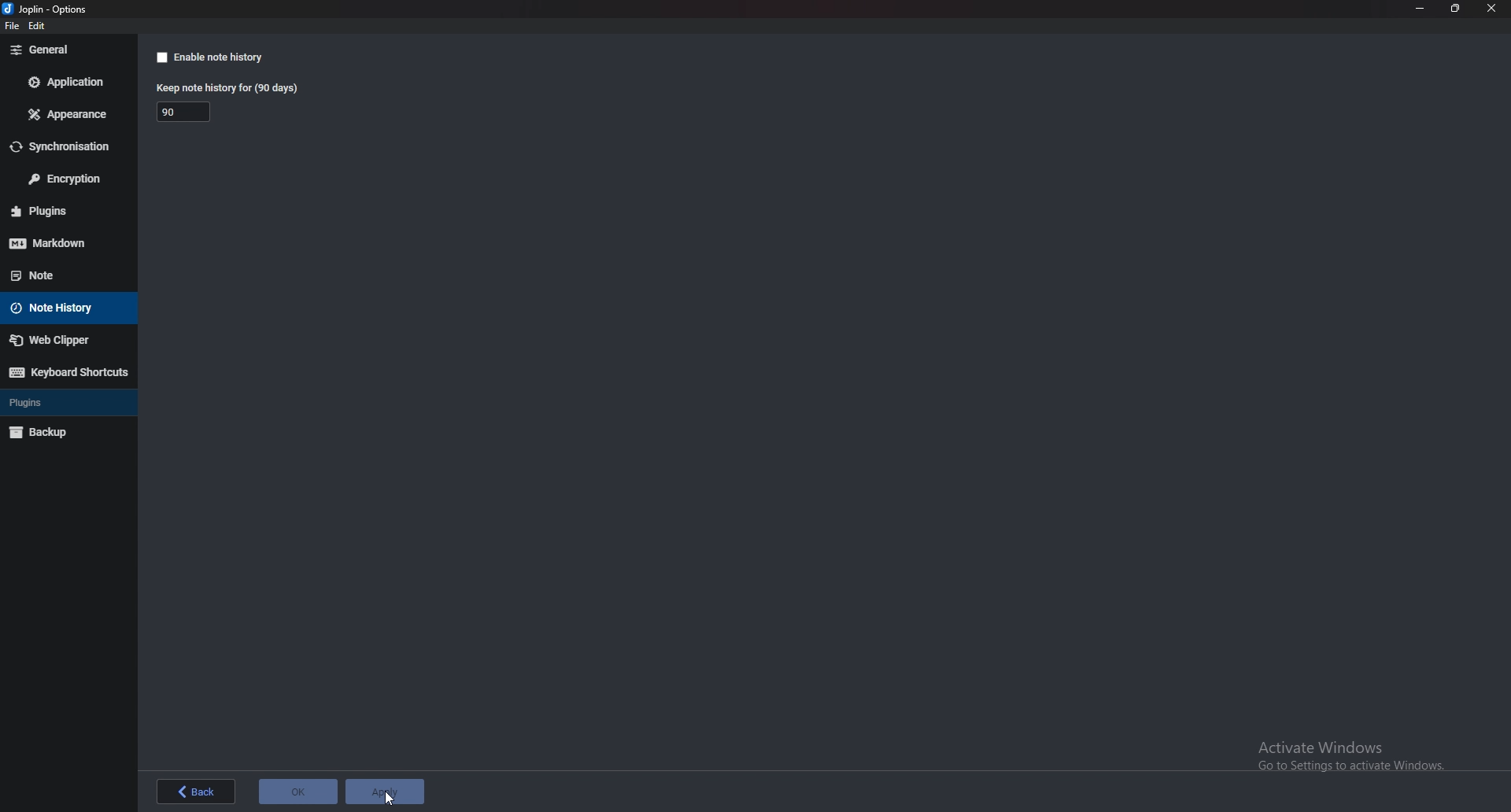 The image size is (1511, 812). I want to click on Keyboard shortcuts, so click(66, 372).